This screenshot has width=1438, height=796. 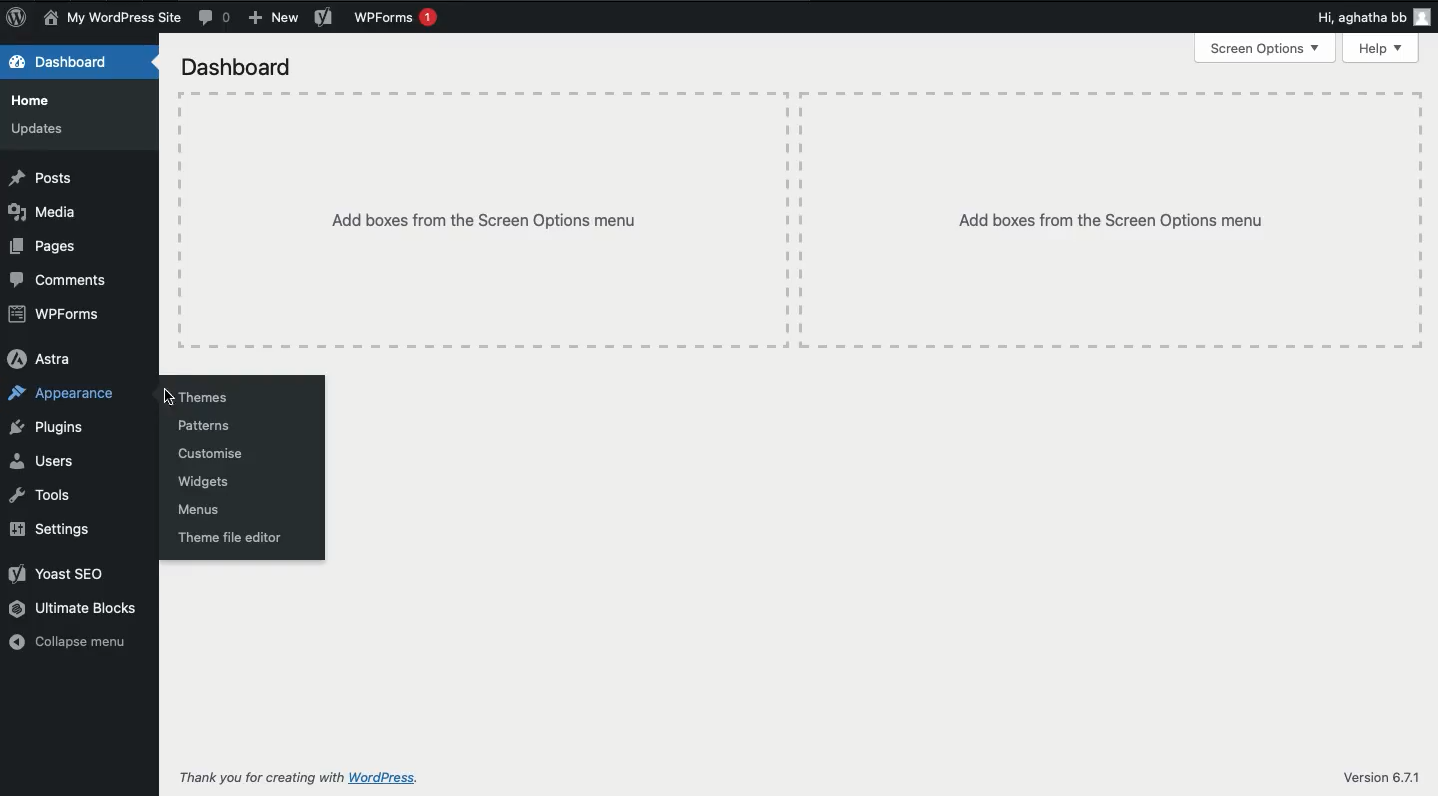 I want to click on Home, so click(x=34, y=100).